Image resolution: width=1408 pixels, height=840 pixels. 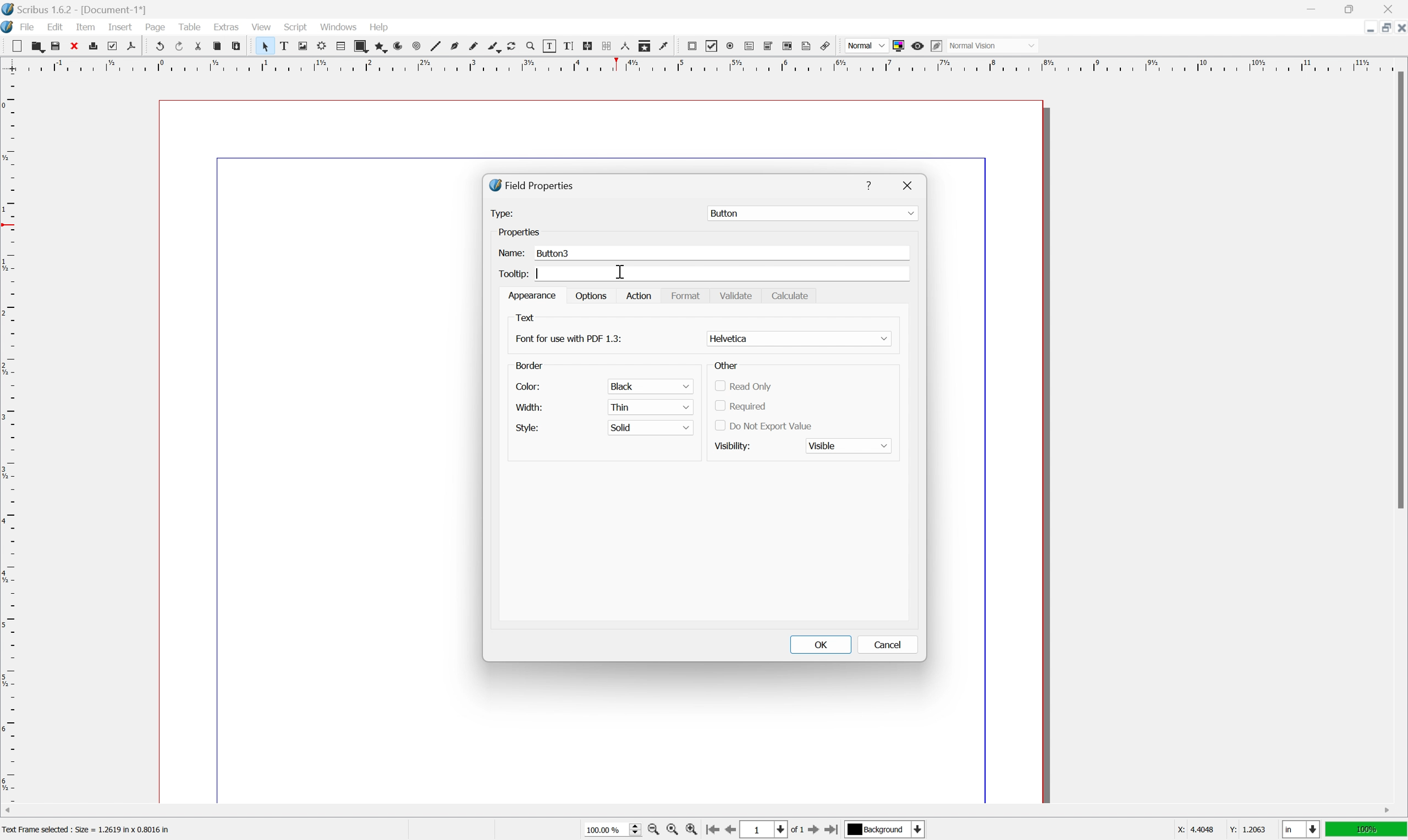 What do you see at coordinates (799, 337) in the screenshot?
I see `Helvatika` at bounding box center [799, 337].